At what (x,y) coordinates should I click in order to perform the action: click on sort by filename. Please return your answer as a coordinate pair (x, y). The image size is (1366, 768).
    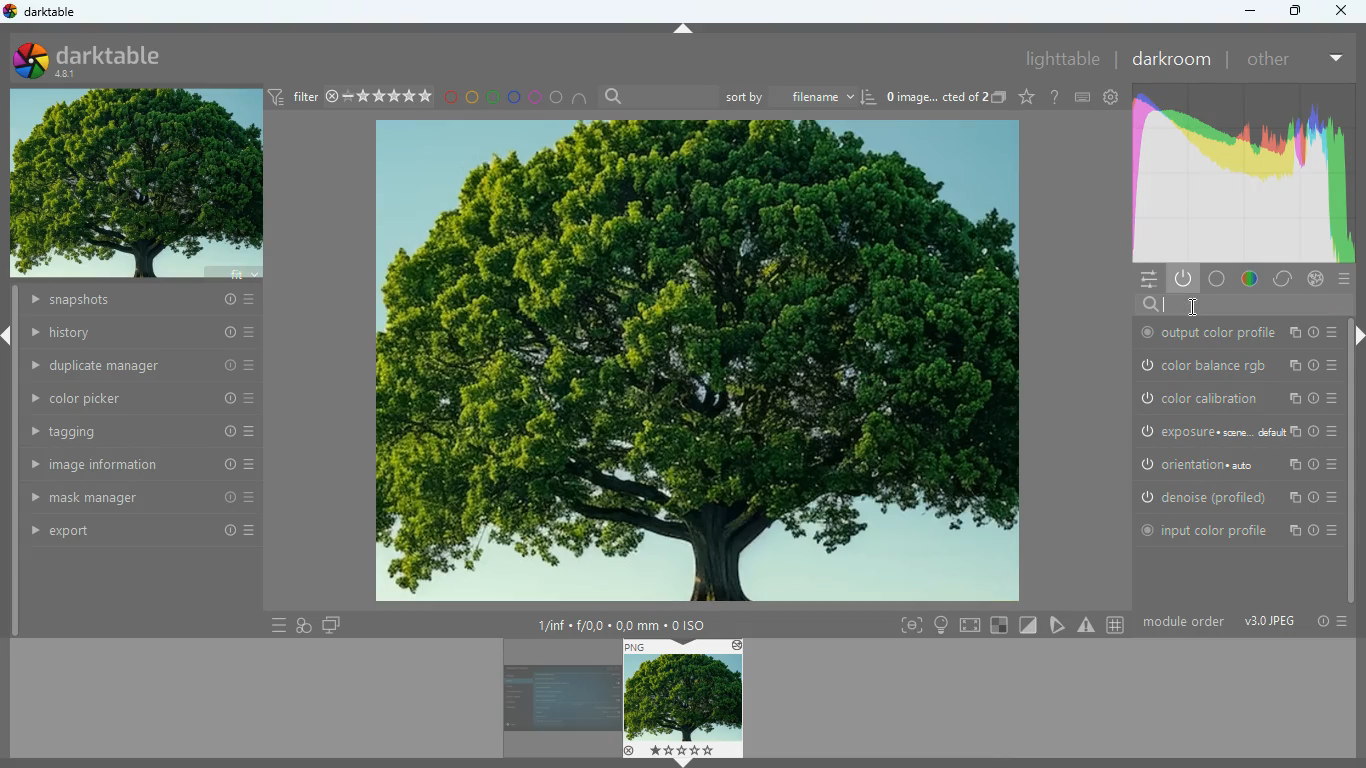
    Looking at the image, I should click on (801, 98).